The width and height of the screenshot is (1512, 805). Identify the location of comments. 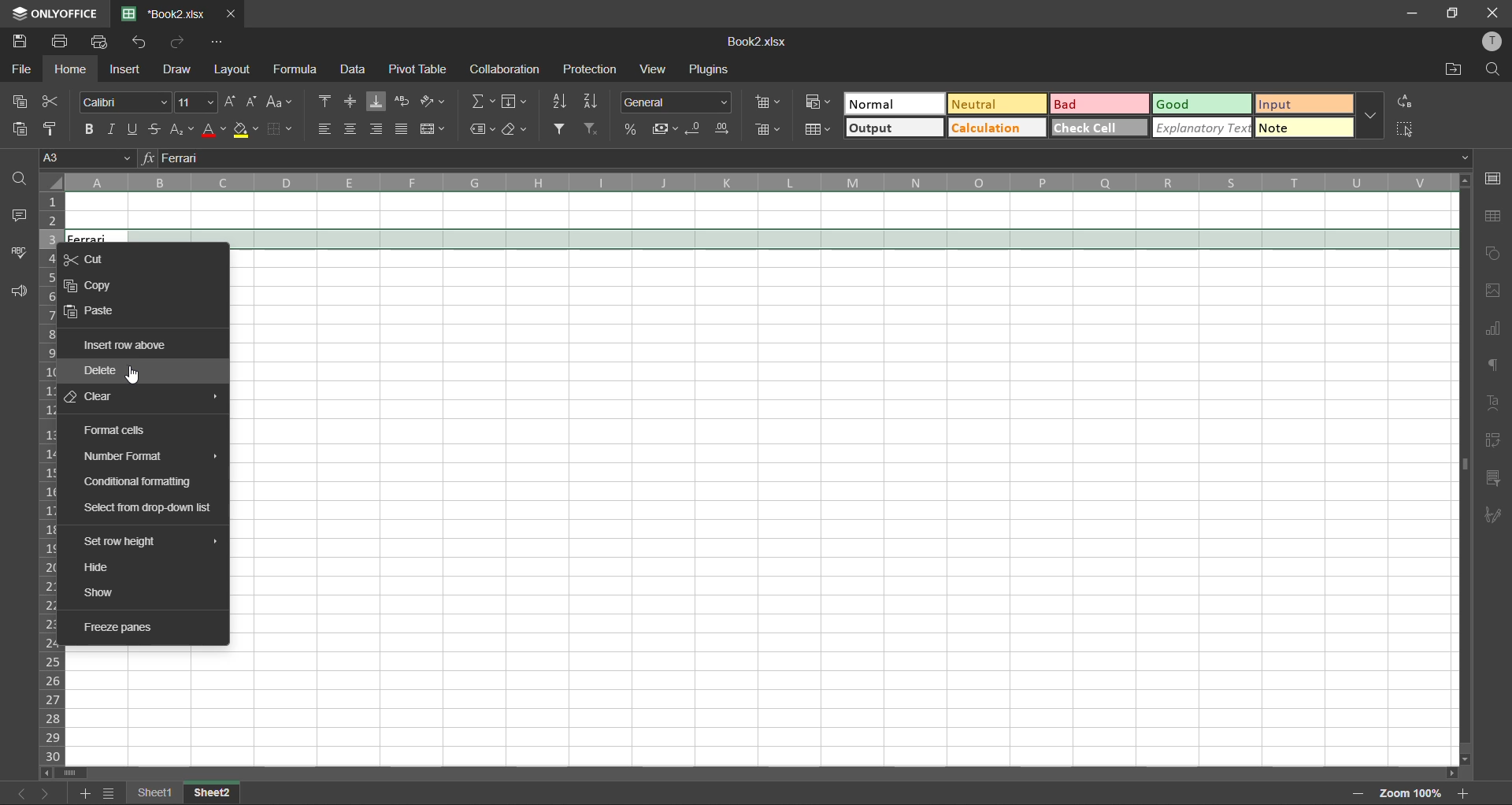
(18, 214).